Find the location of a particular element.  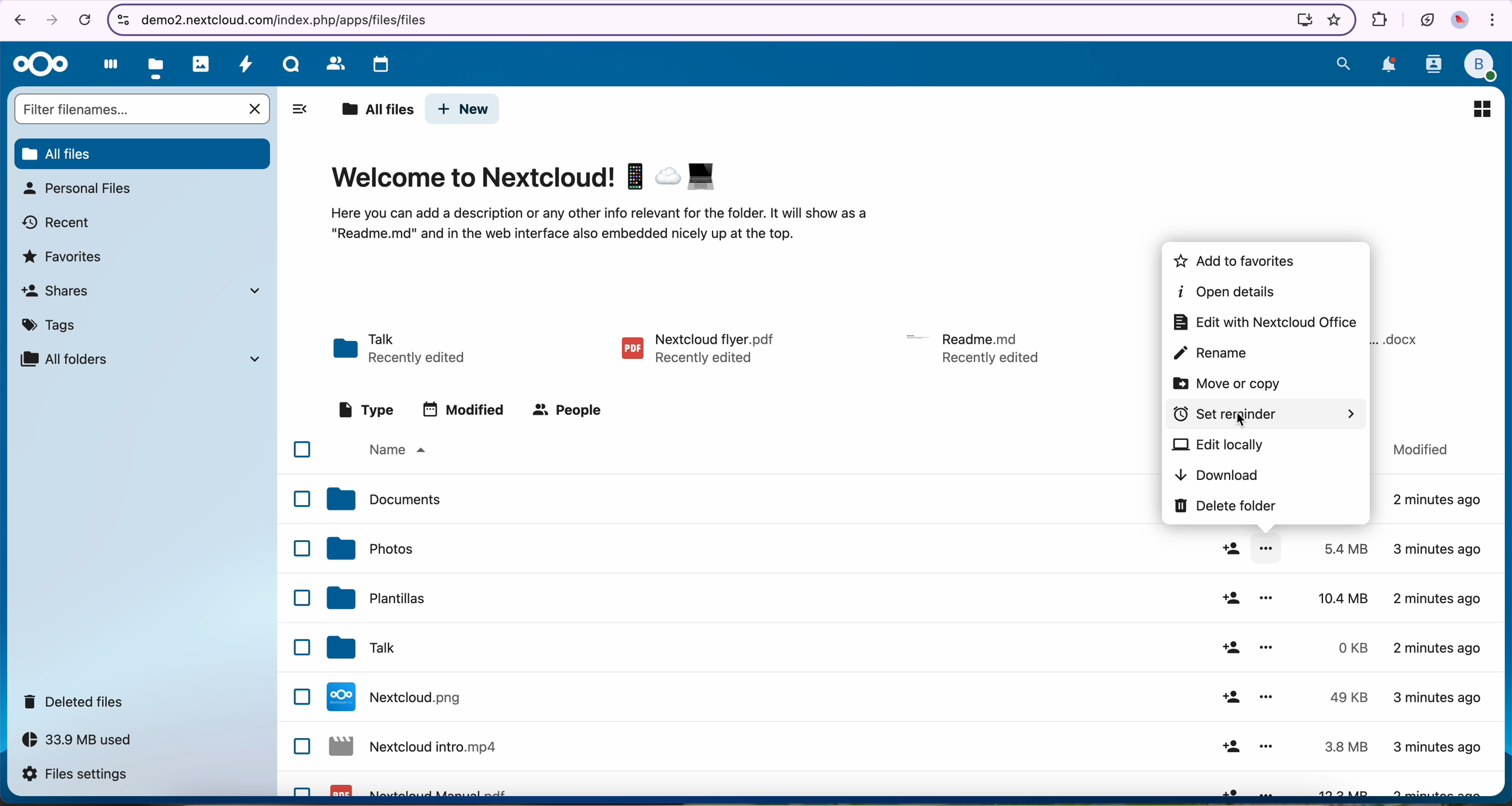

type is located at coordinates (365, 409).